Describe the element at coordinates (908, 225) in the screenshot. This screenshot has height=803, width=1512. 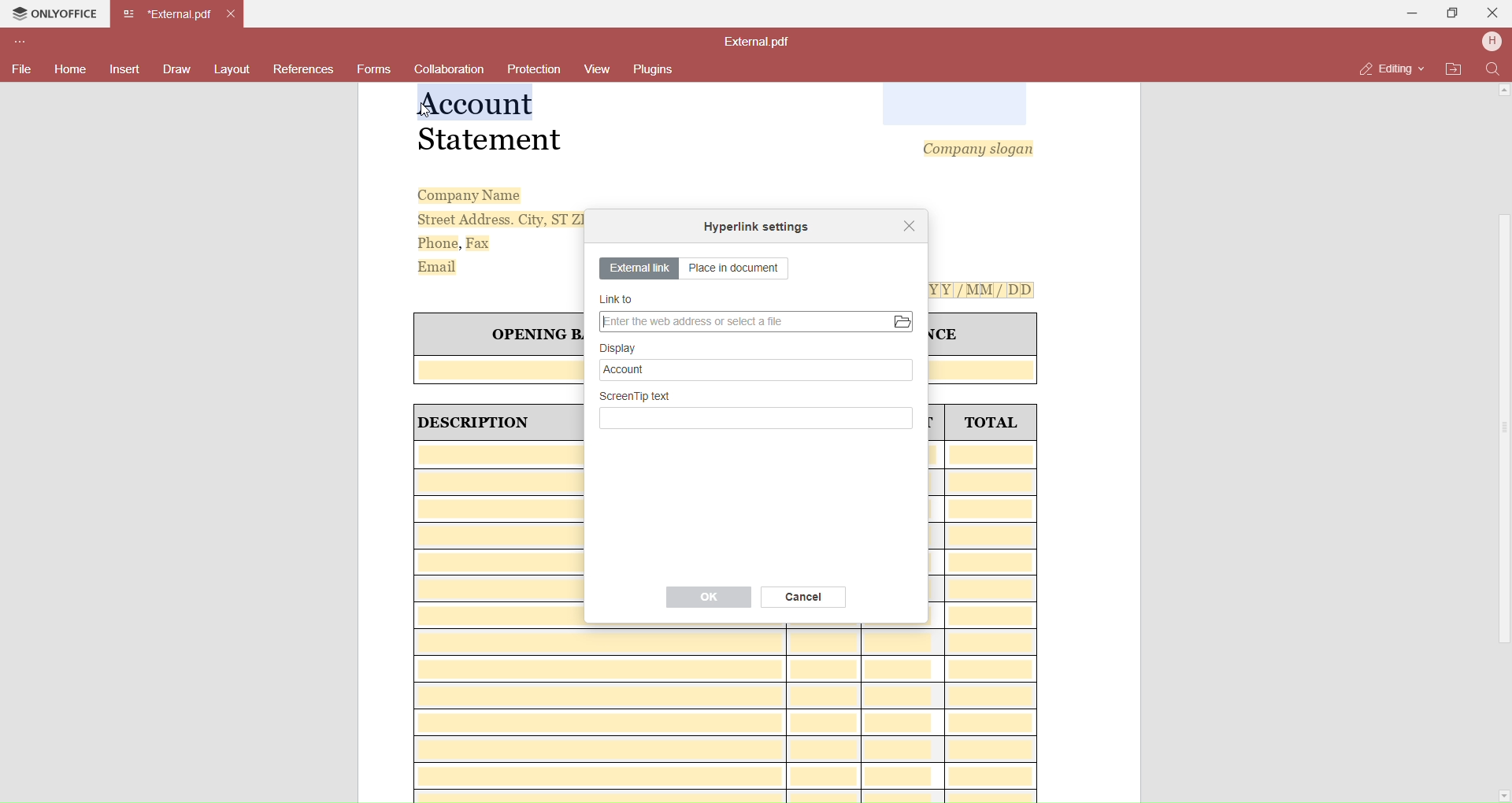
I see `Close dialog` at that location.